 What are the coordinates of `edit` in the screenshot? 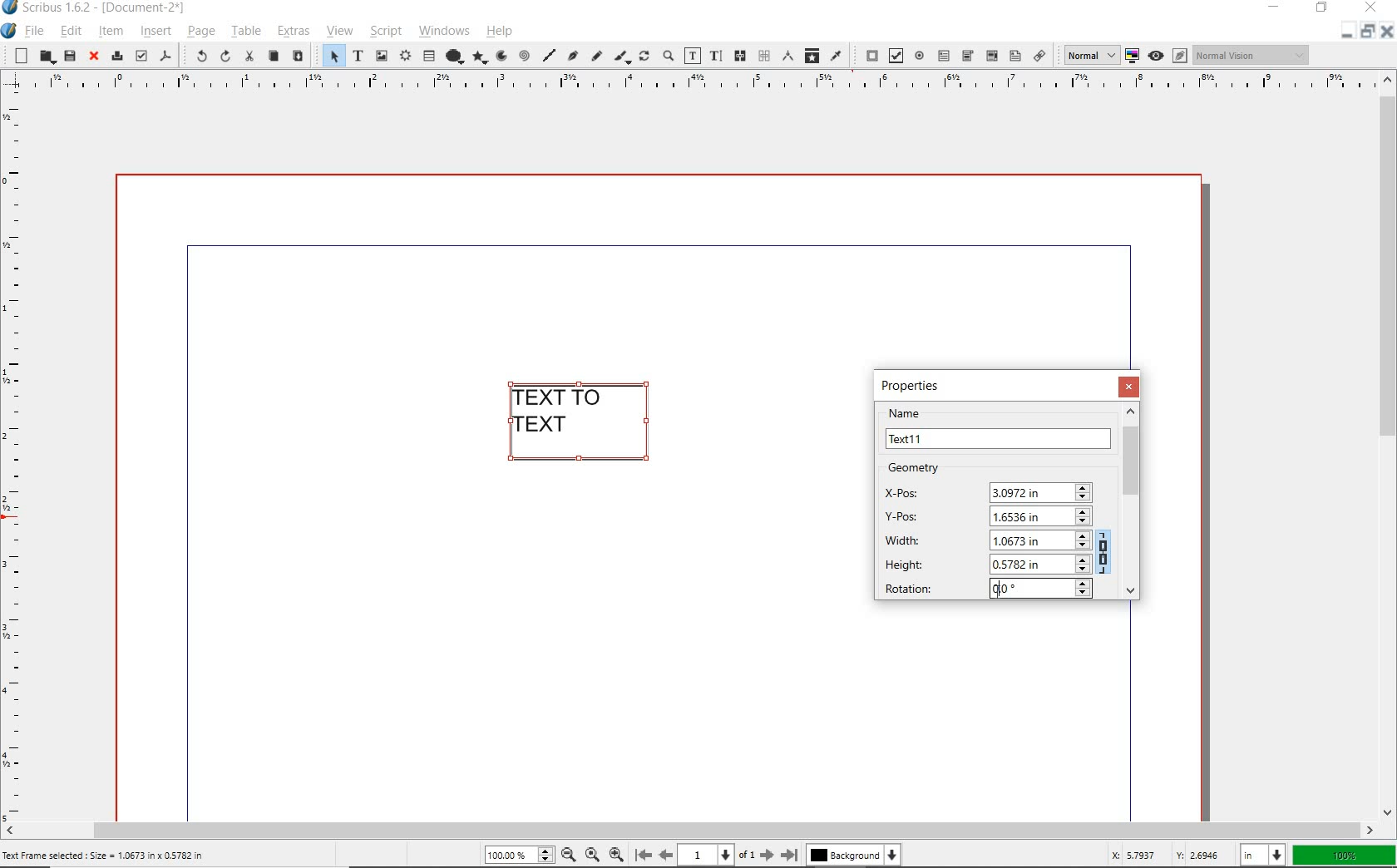 It's located at (72, 31).